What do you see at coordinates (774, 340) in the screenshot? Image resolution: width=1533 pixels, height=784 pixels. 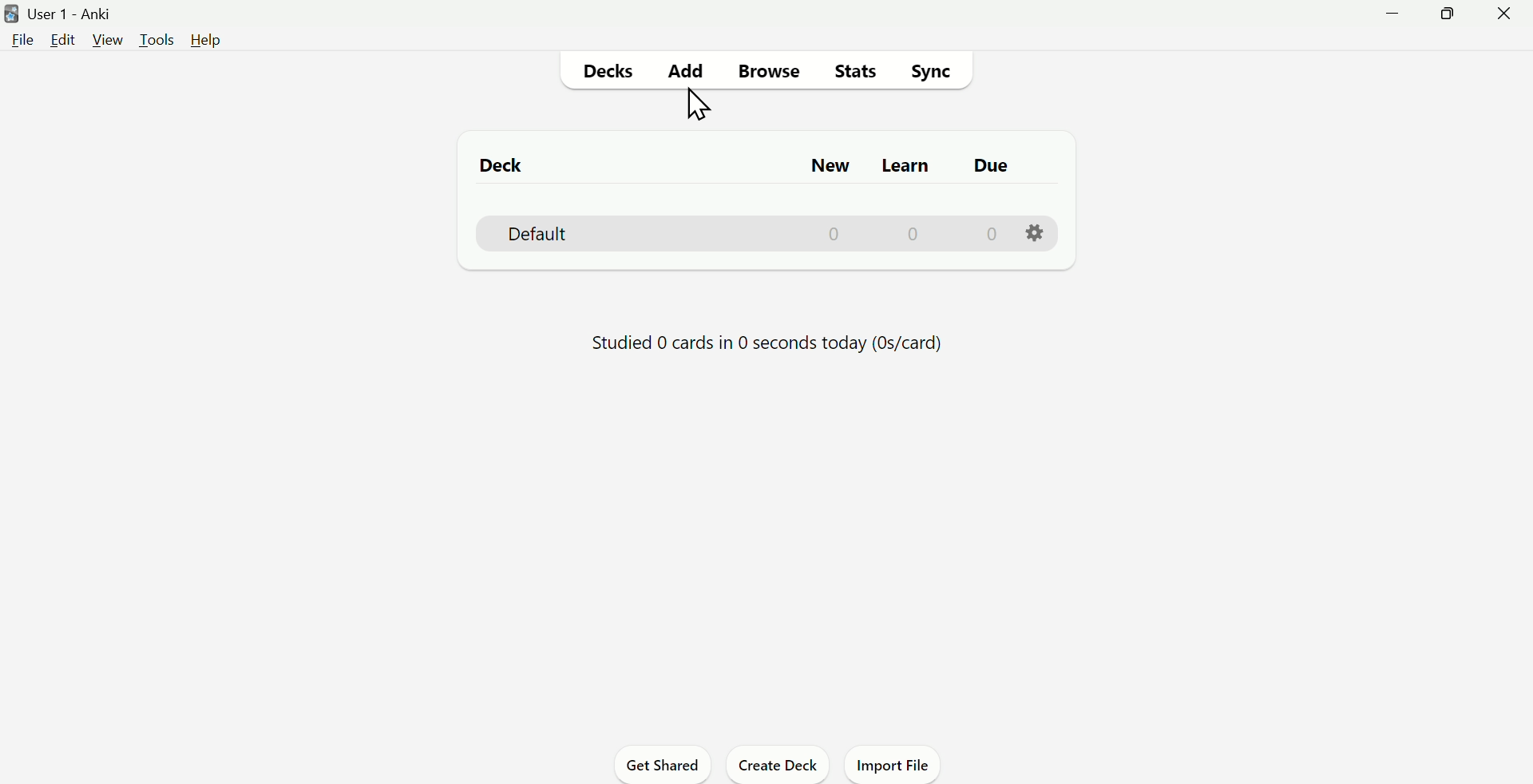 I see `Studied 0 cards in 0 seconds today (0s/card)` at bounding box center [774, 340].